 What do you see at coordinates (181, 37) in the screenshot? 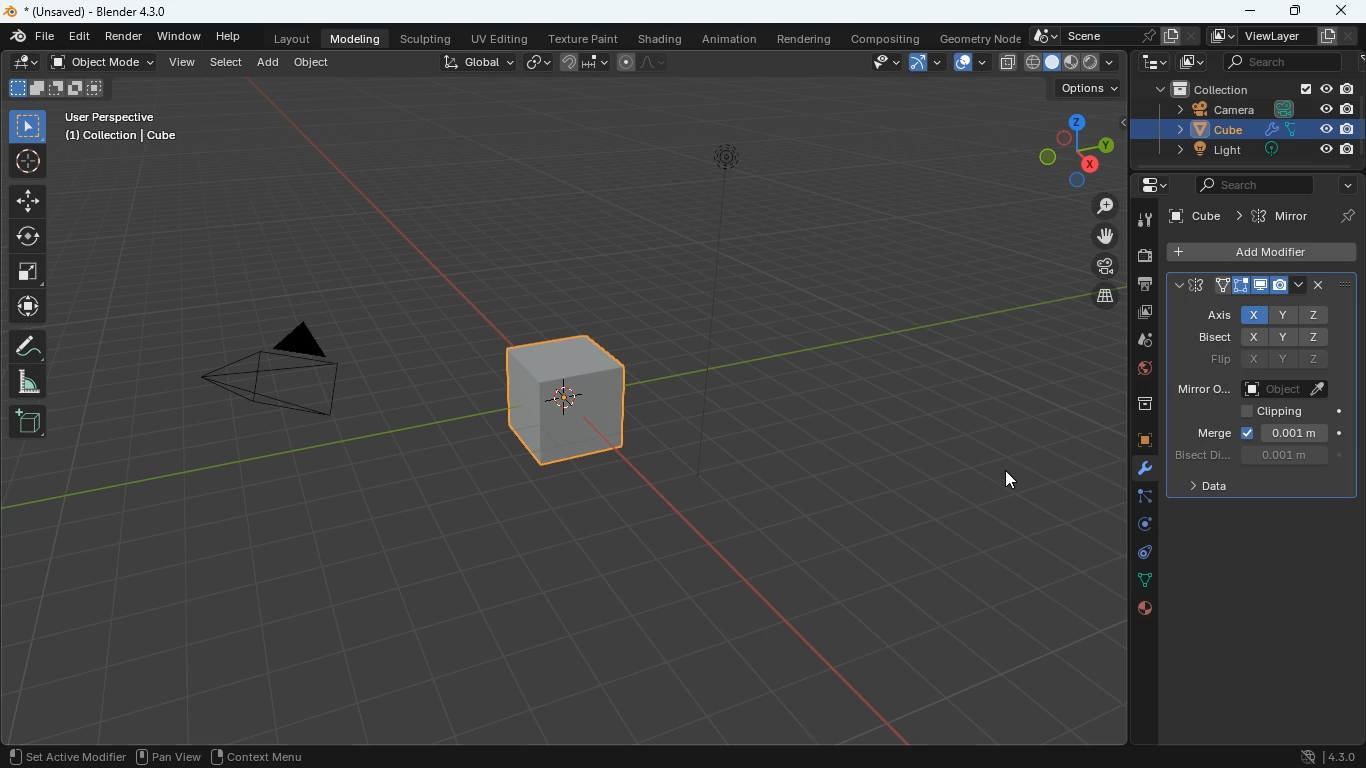
I see `window` at bounding box center [181, 37].